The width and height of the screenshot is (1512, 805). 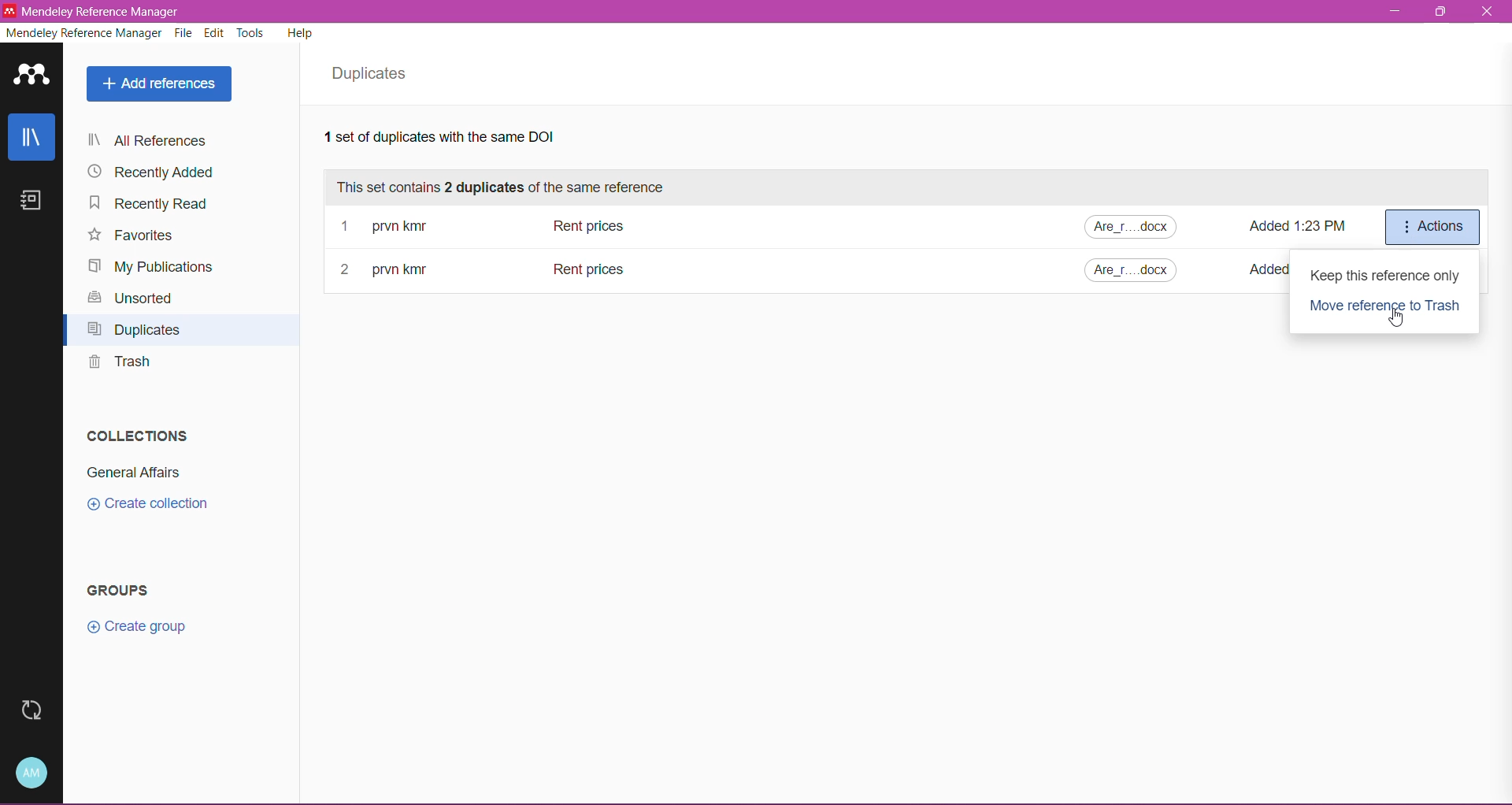 What do you see at coordinates (124, 591) in the screenshot?
I see `Groups` at bounding box center [124, 591].